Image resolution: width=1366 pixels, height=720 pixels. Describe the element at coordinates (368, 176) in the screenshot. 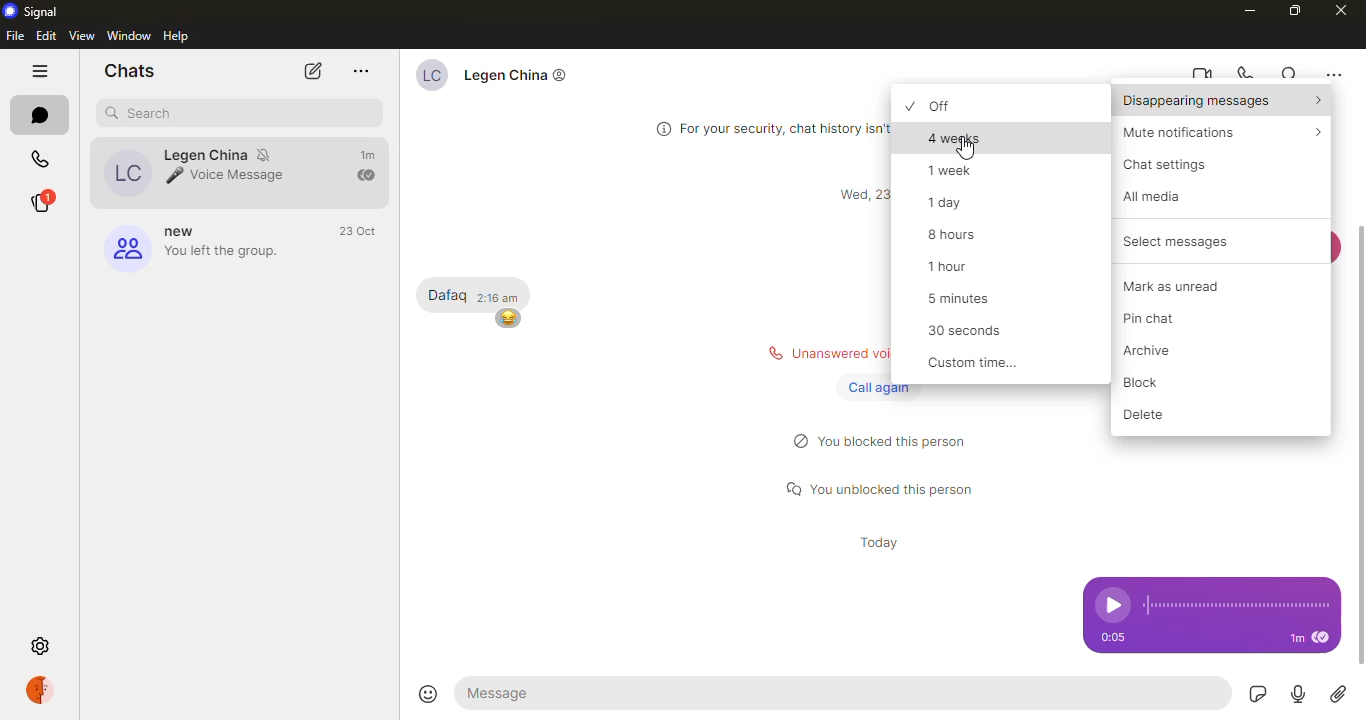

I see `sent` at that location.